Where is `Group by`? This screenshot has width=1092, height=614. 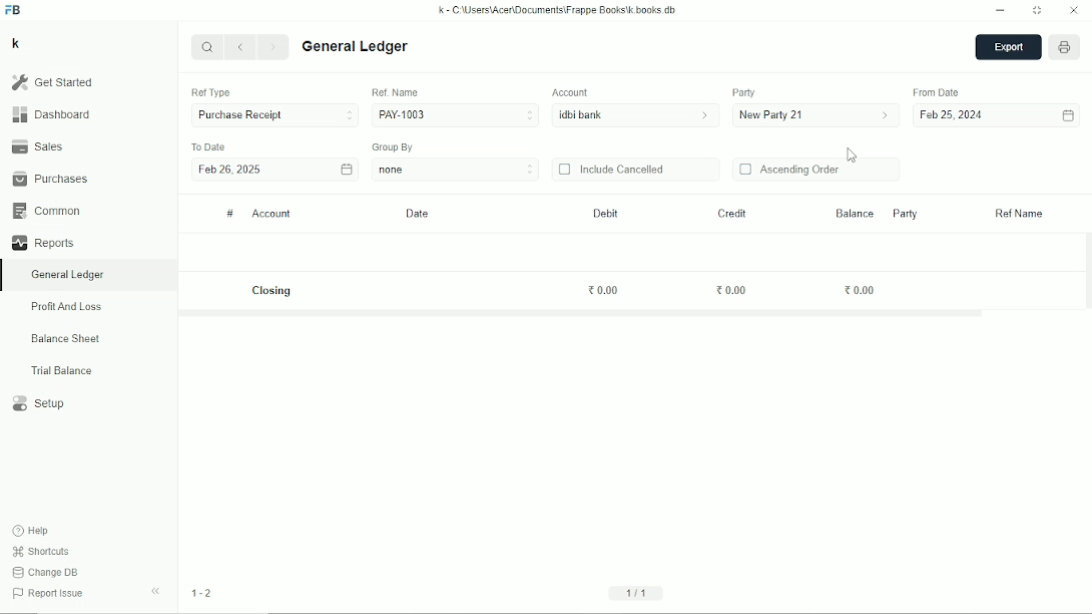
Group by is located at coordinates (394, 147).